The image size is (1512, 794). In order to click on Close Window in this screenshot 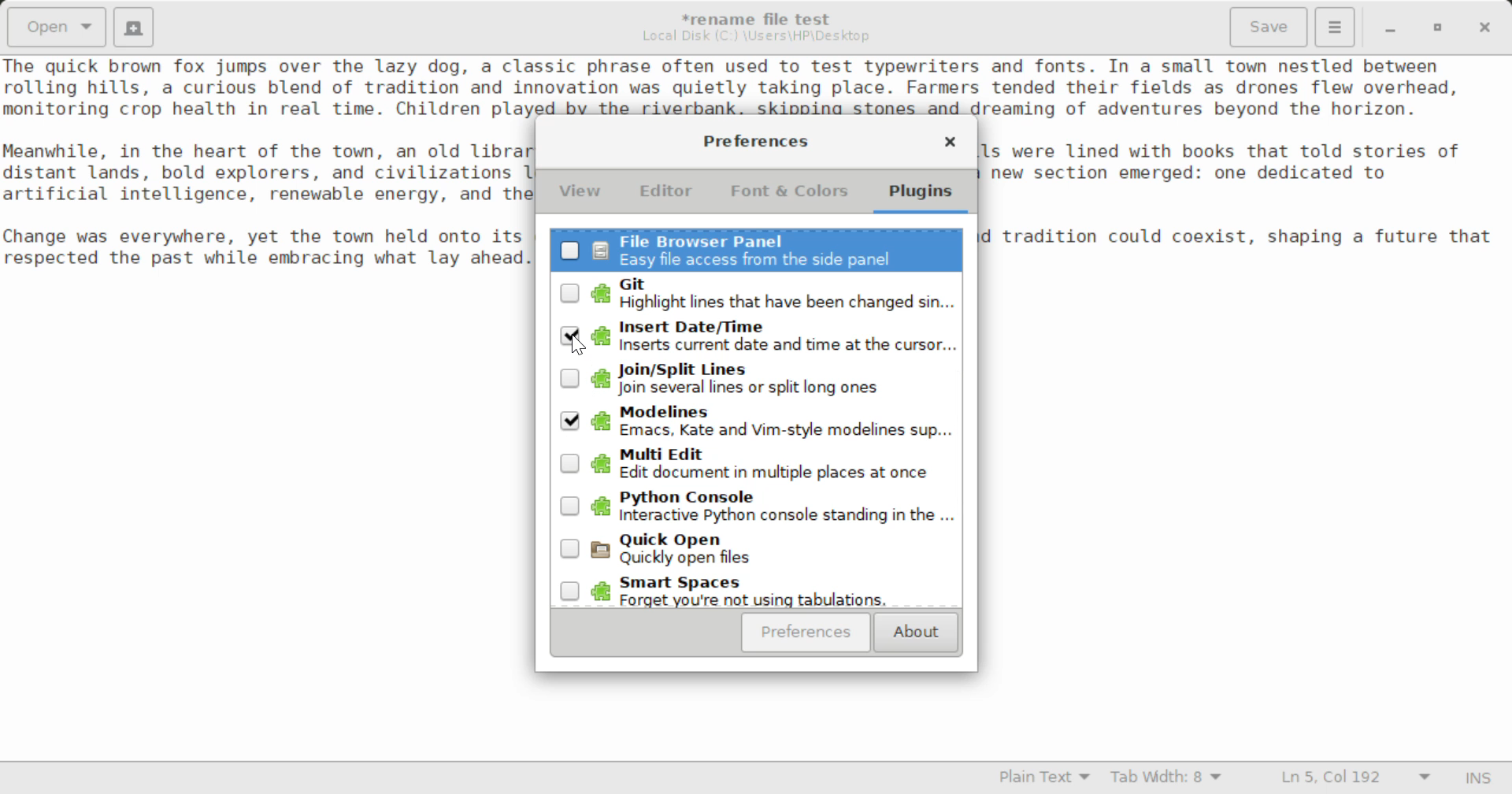, I will do `click(1487, 26)`.